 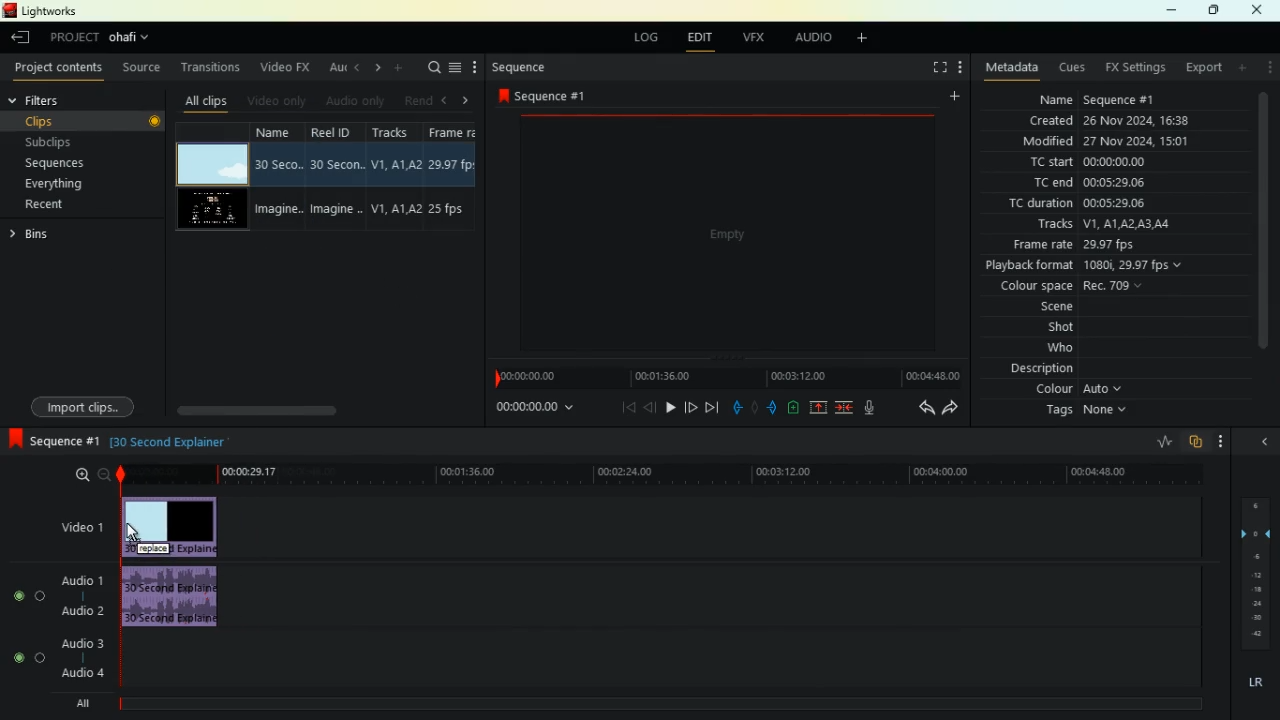 What do you see at coordinates (1201, 70) in the screenshot?
I see `export` at bounding box center [1201, 70].